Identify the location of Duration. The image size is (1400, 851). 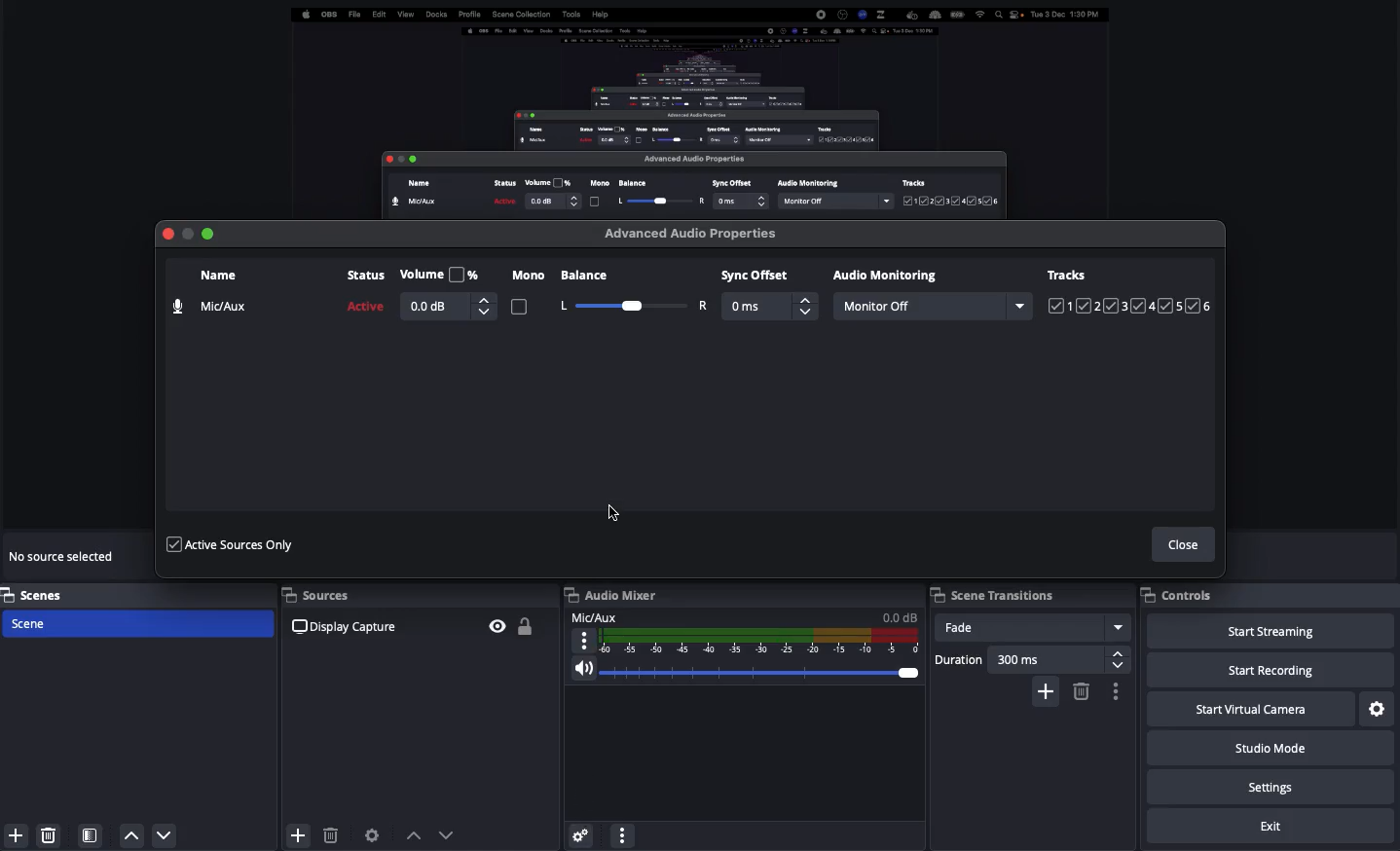
(1031, 660).